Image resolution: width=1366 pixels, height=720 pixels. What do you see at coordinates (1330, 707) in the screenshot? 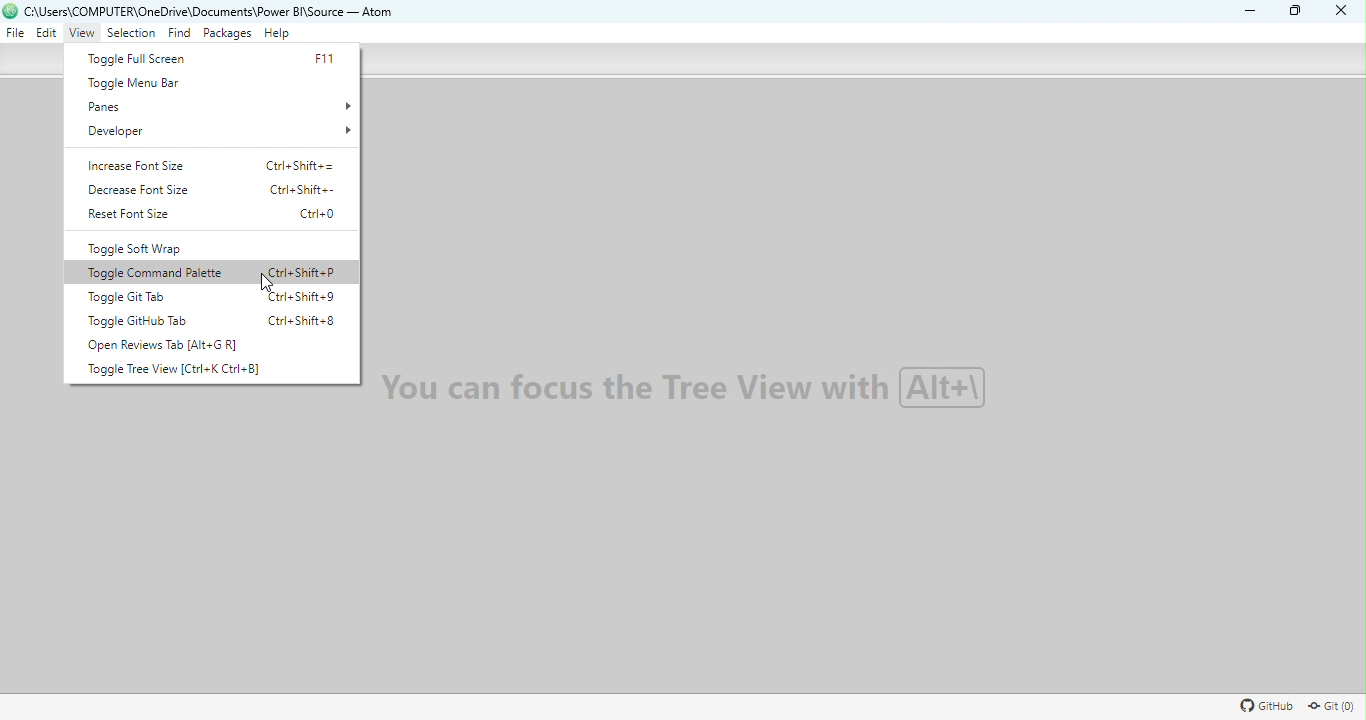
I see `Git repository` at bounding box center [1330, 707].